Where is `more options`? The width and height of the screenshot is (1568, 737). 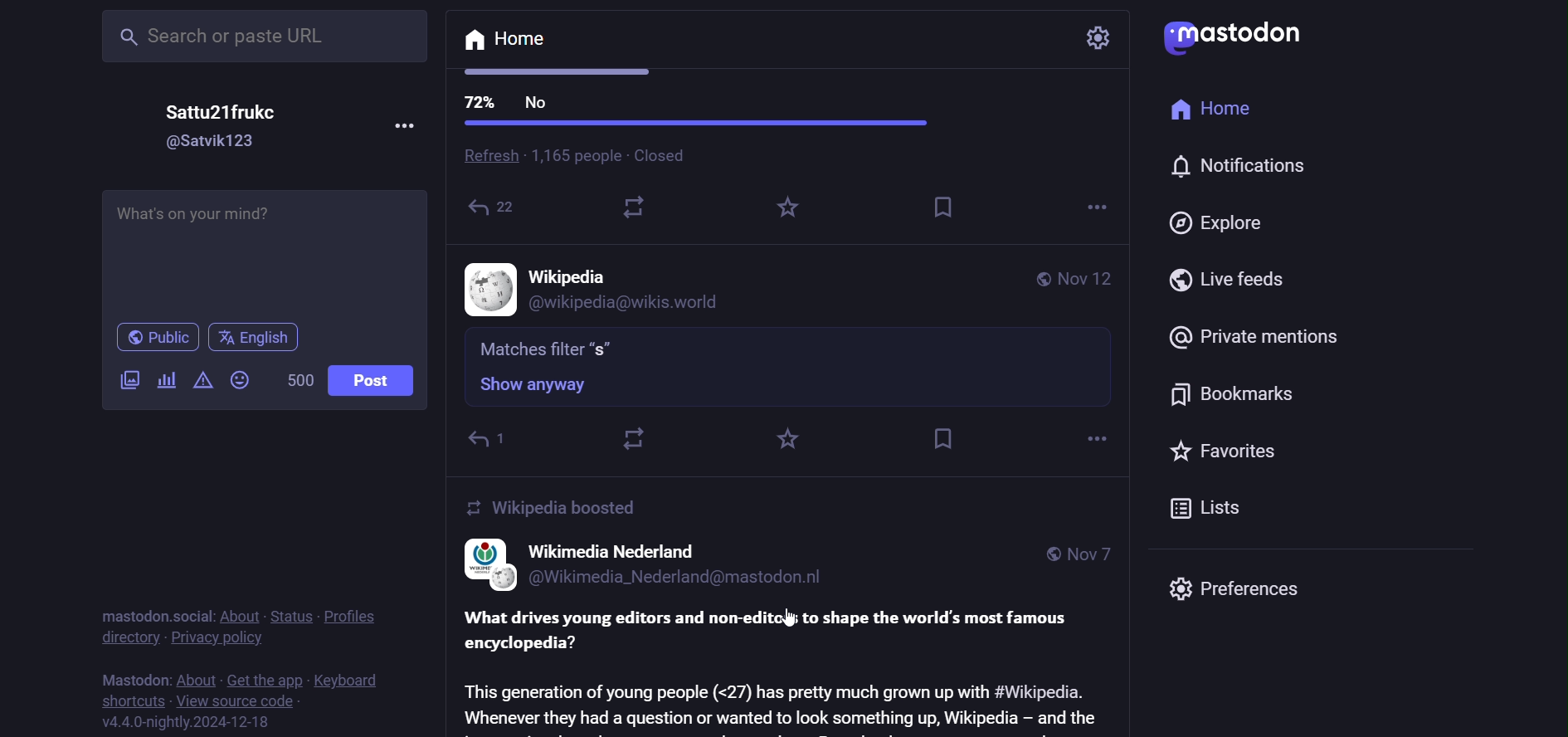
more options is located at coordinates (1092, 436).